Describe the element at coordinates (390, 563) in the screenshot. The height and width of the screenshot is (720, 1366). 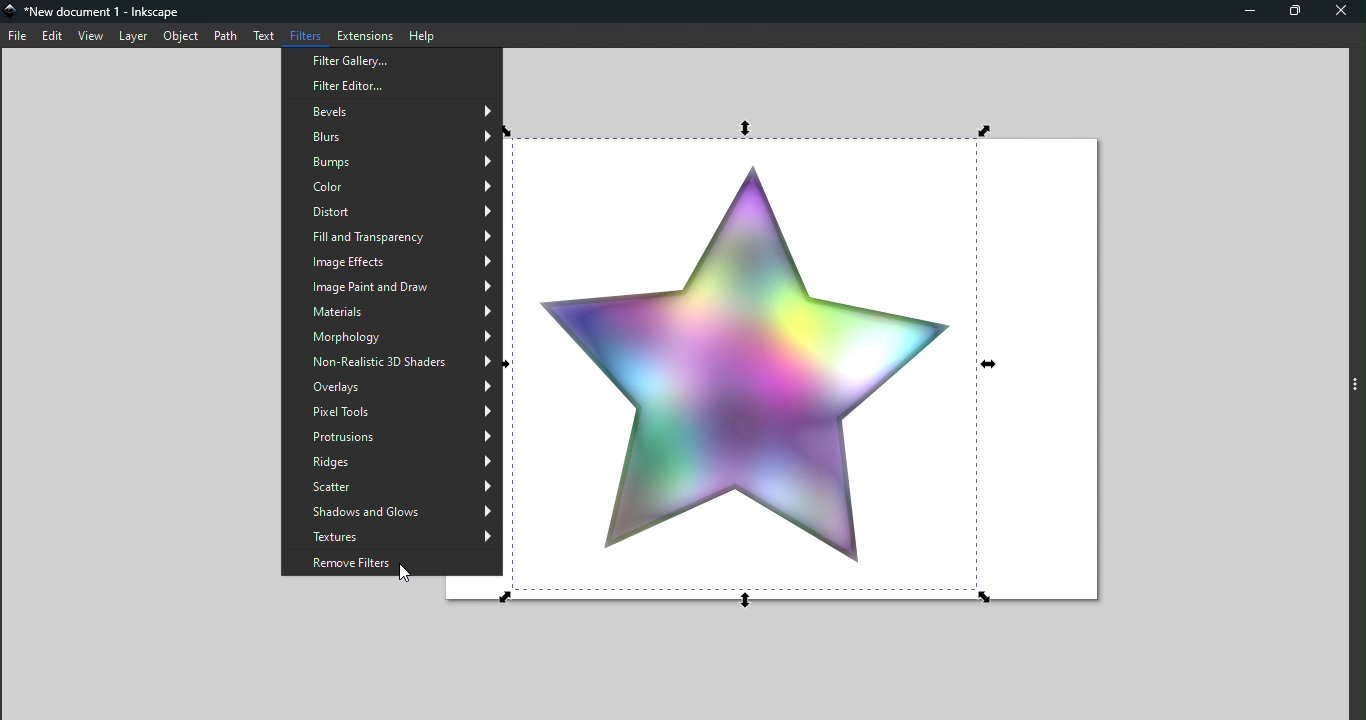
I see `Remove filters` at that location.